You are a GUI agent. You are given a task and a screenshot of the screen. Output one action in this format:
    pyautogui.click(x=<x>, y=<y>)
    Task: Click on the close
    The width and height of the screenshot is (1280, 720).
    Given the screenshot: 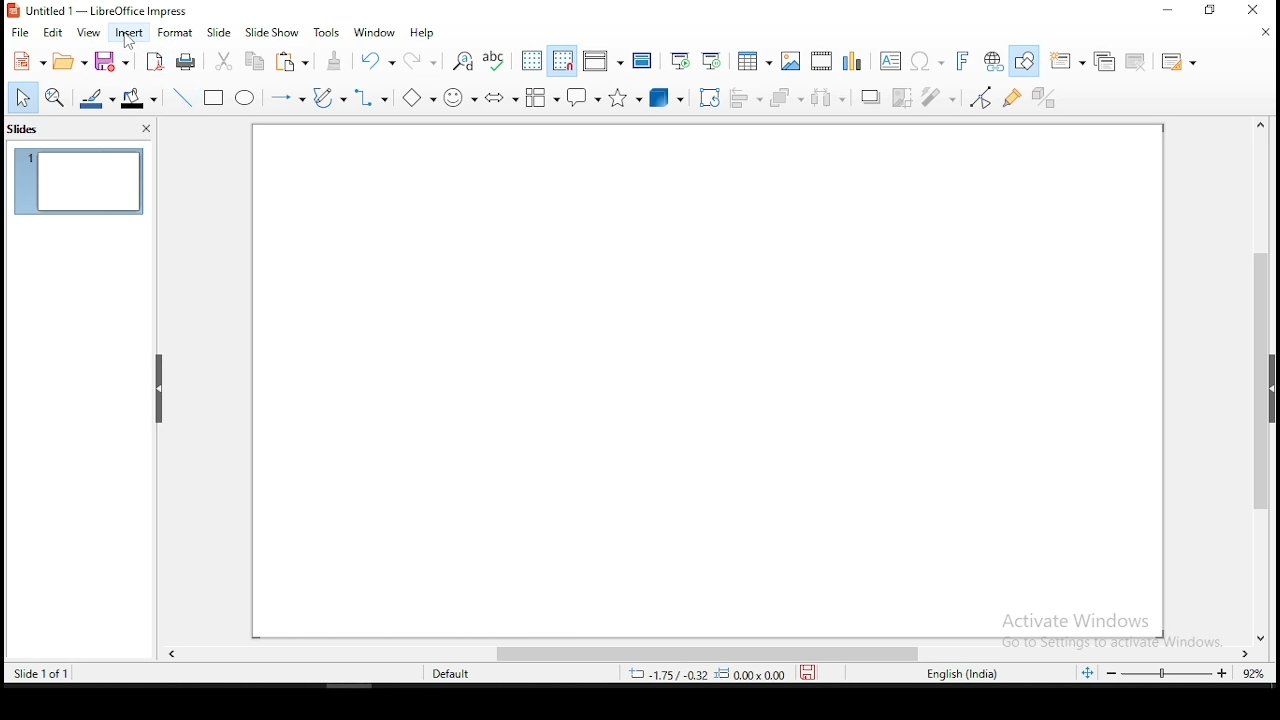 What is the action you would take?
    pyautogui.click(x=142, y=129)
    